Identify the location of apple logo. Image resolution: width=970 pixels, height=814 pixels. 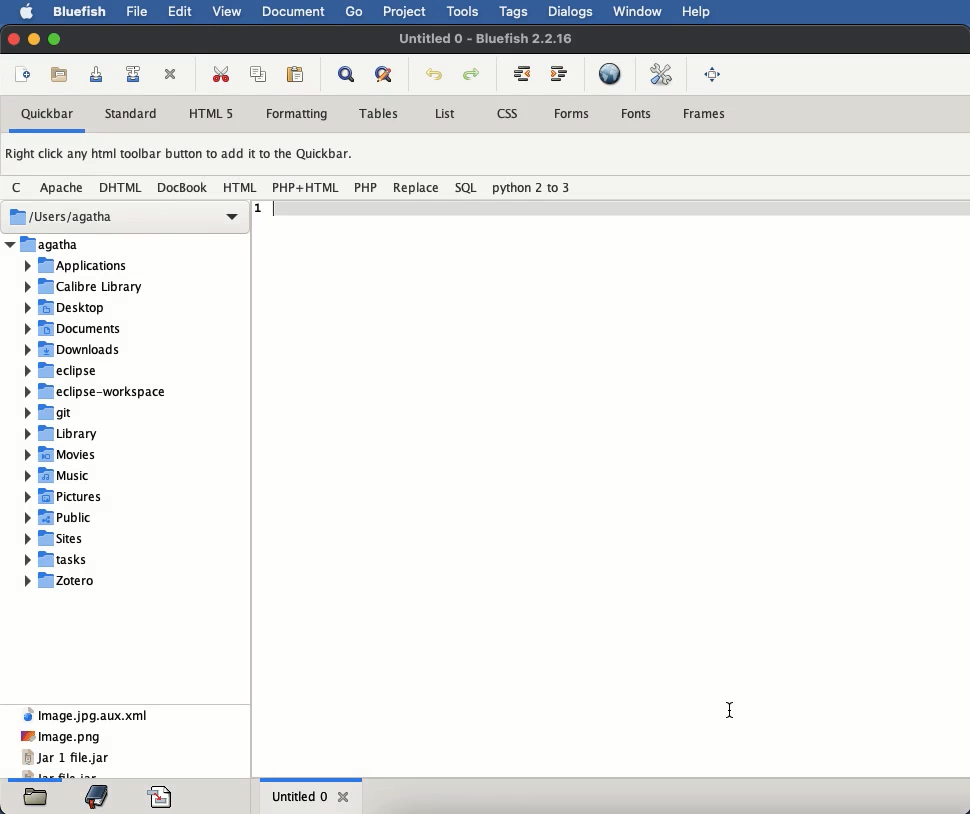
(27, 12).